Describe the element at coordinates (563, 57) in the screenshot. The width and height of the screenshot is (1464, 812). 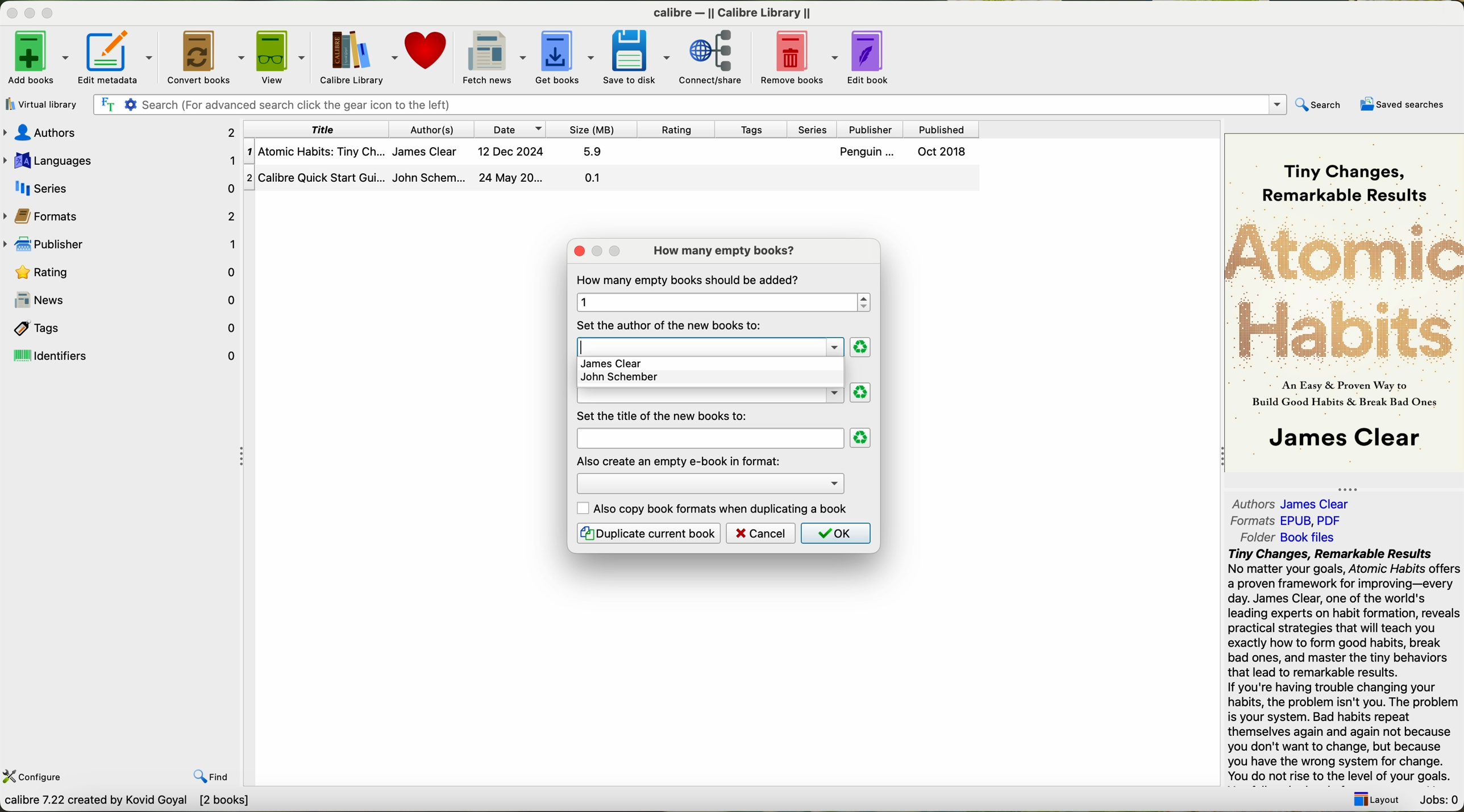
I see `get books` at that location.